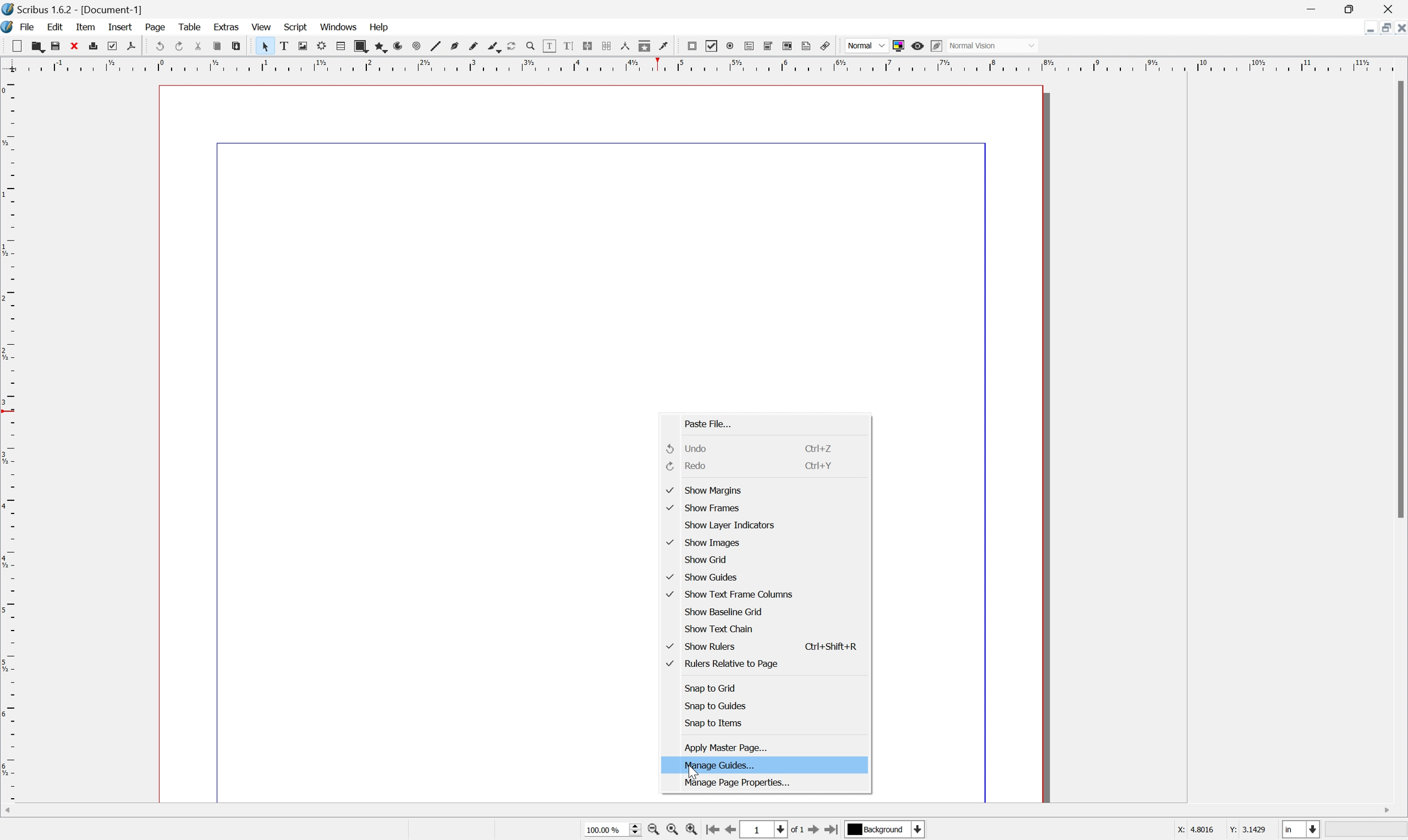 The height and width of the screenshot is (840, 1408). What do you see at coordinates (1365, 28) in the screenshot?
I see `minimize` at bounding box center [1365, 28].